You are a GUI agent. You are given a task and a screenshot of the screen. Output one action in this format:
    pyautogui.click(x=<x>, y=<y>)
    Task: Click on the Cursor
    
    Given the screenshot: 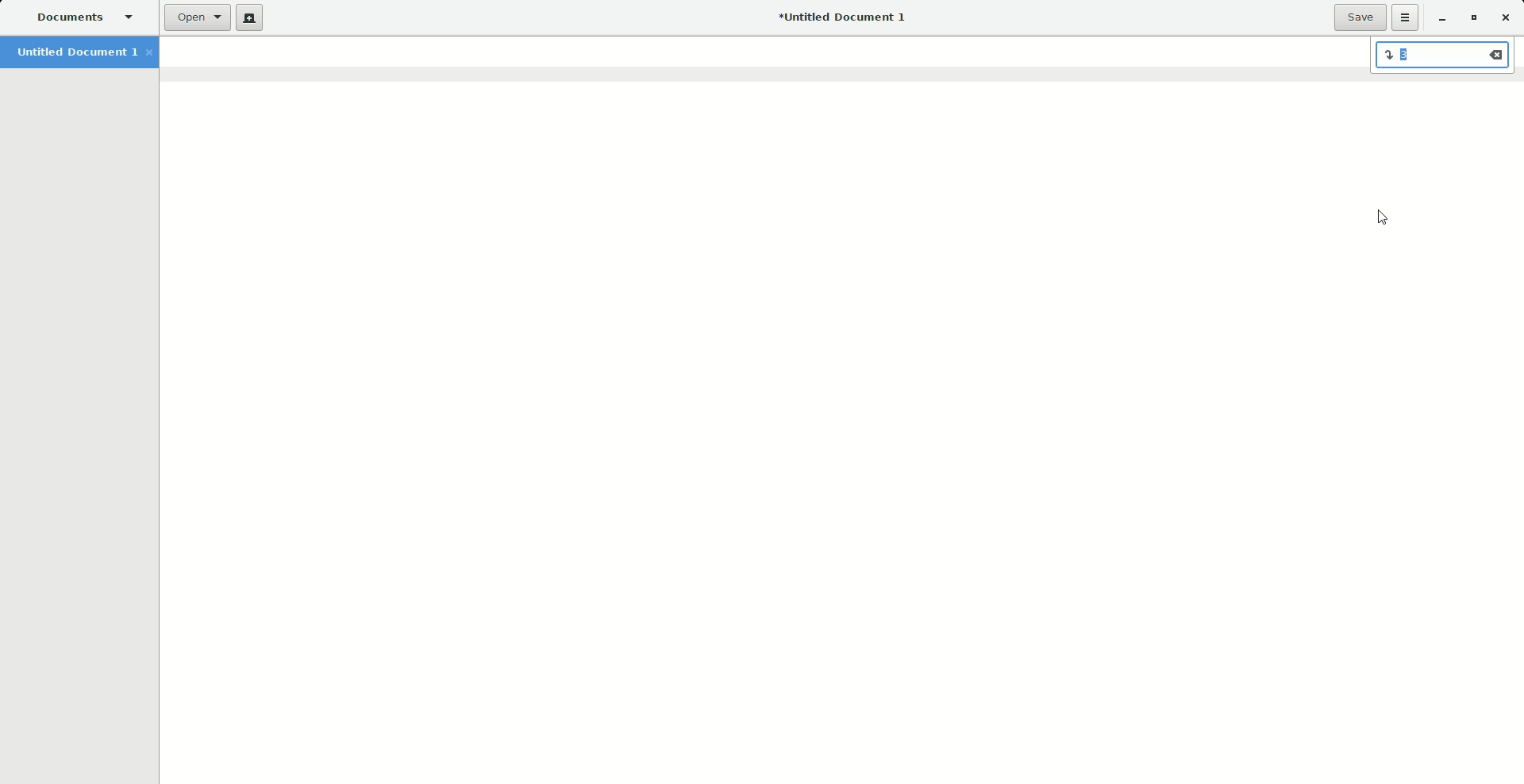 What is the action you would take?
    pyautogui.click(x=1386, y=219)
    